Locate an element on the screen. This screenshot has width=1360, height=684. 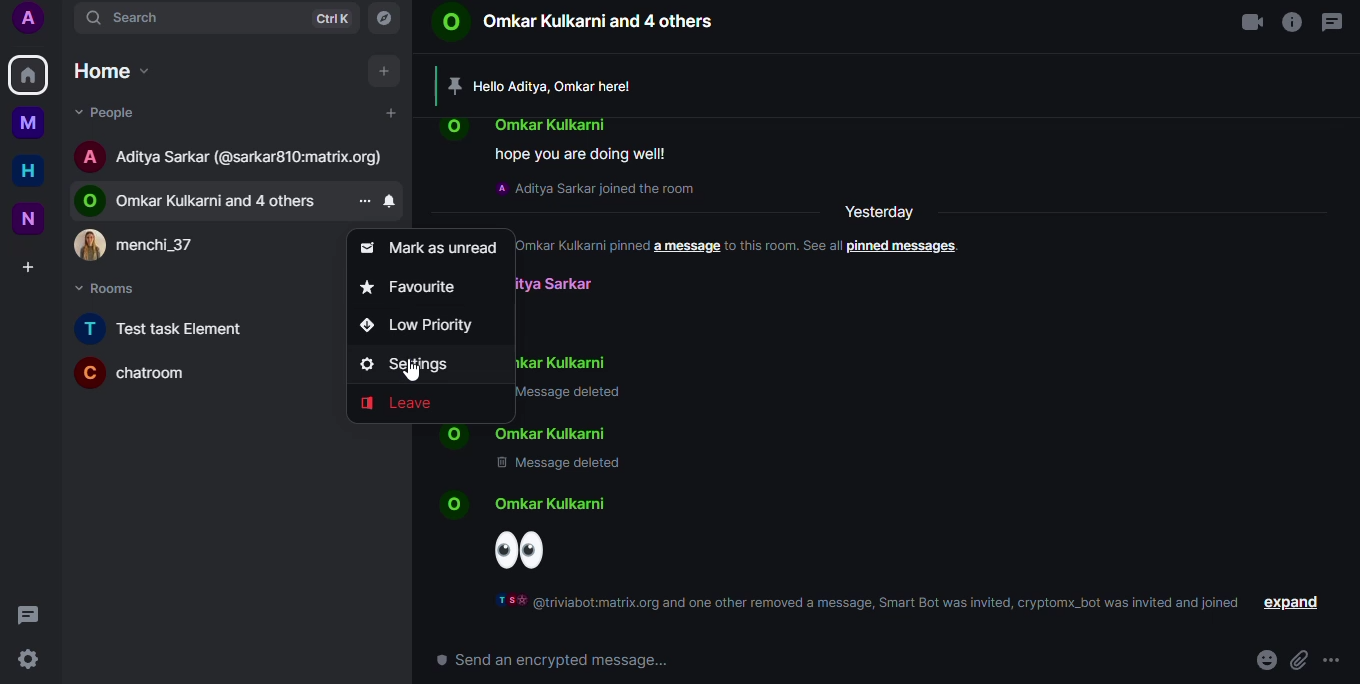
explore rooms is located at coordinates (384, 19).